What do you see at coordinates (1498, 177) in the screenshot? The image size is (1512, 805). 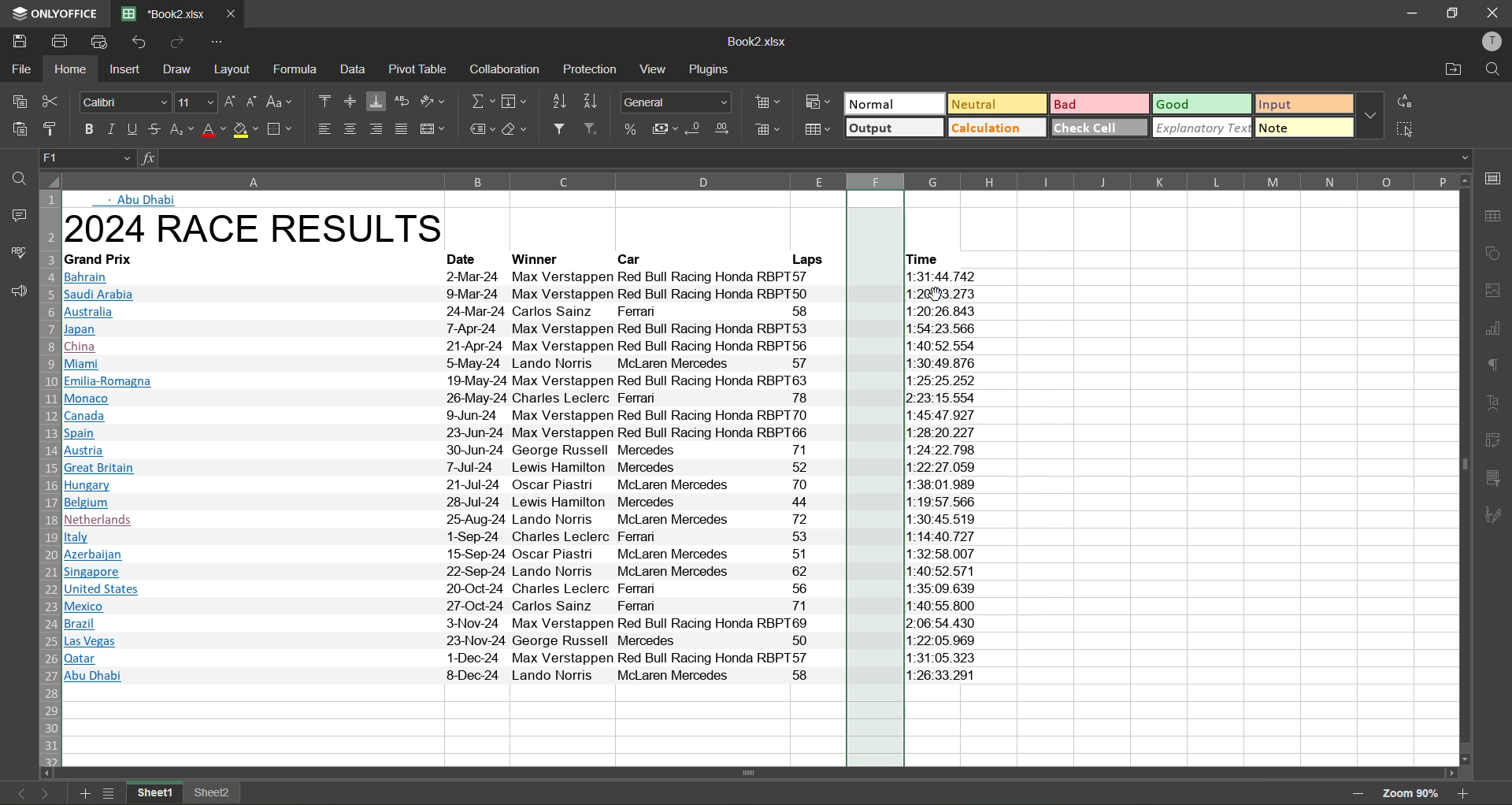 I see `call settings` at bounding box center [1498, 177].